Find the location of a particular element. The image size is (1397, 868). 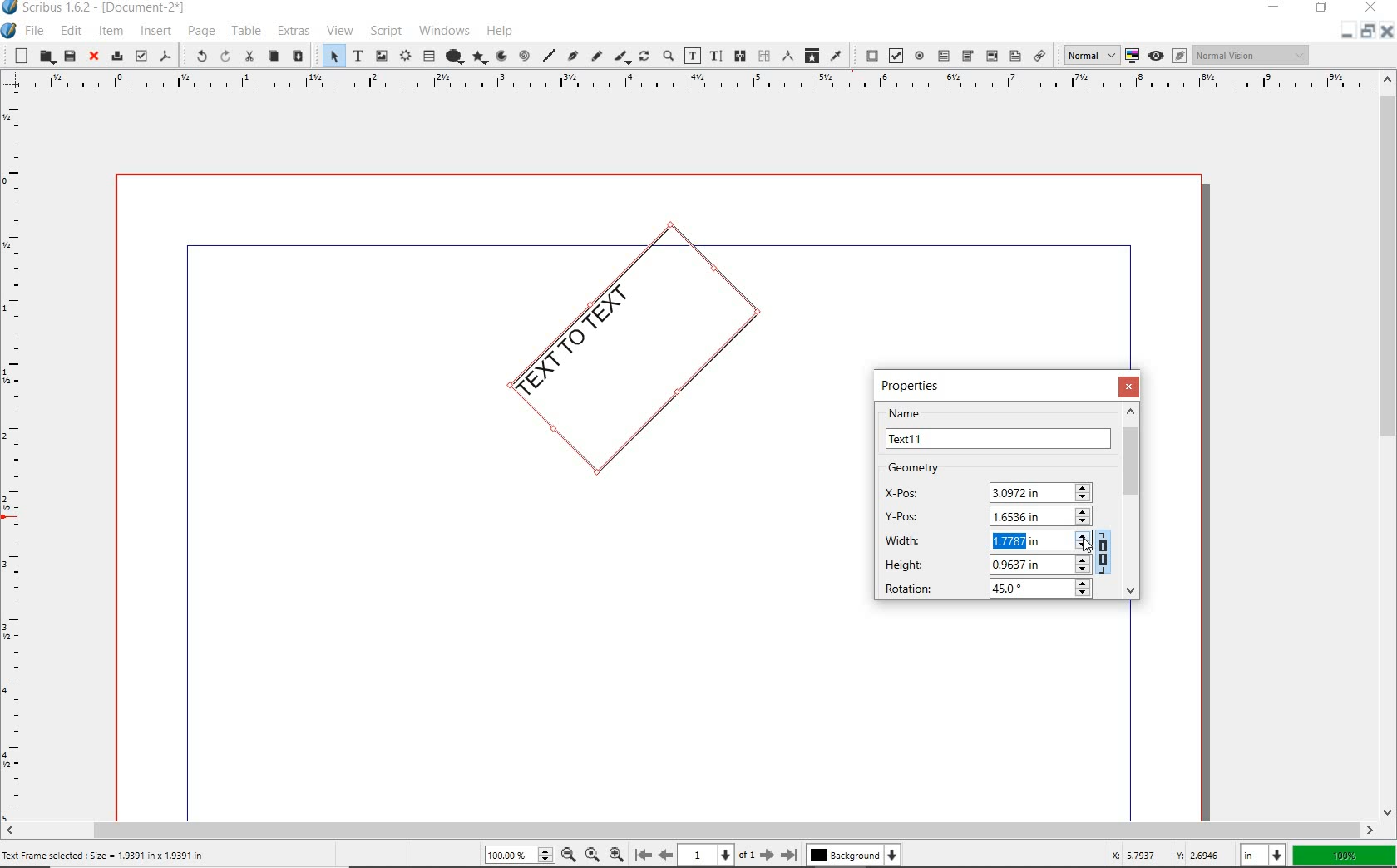

PROPERTIES is located at coordinates (914, 385).